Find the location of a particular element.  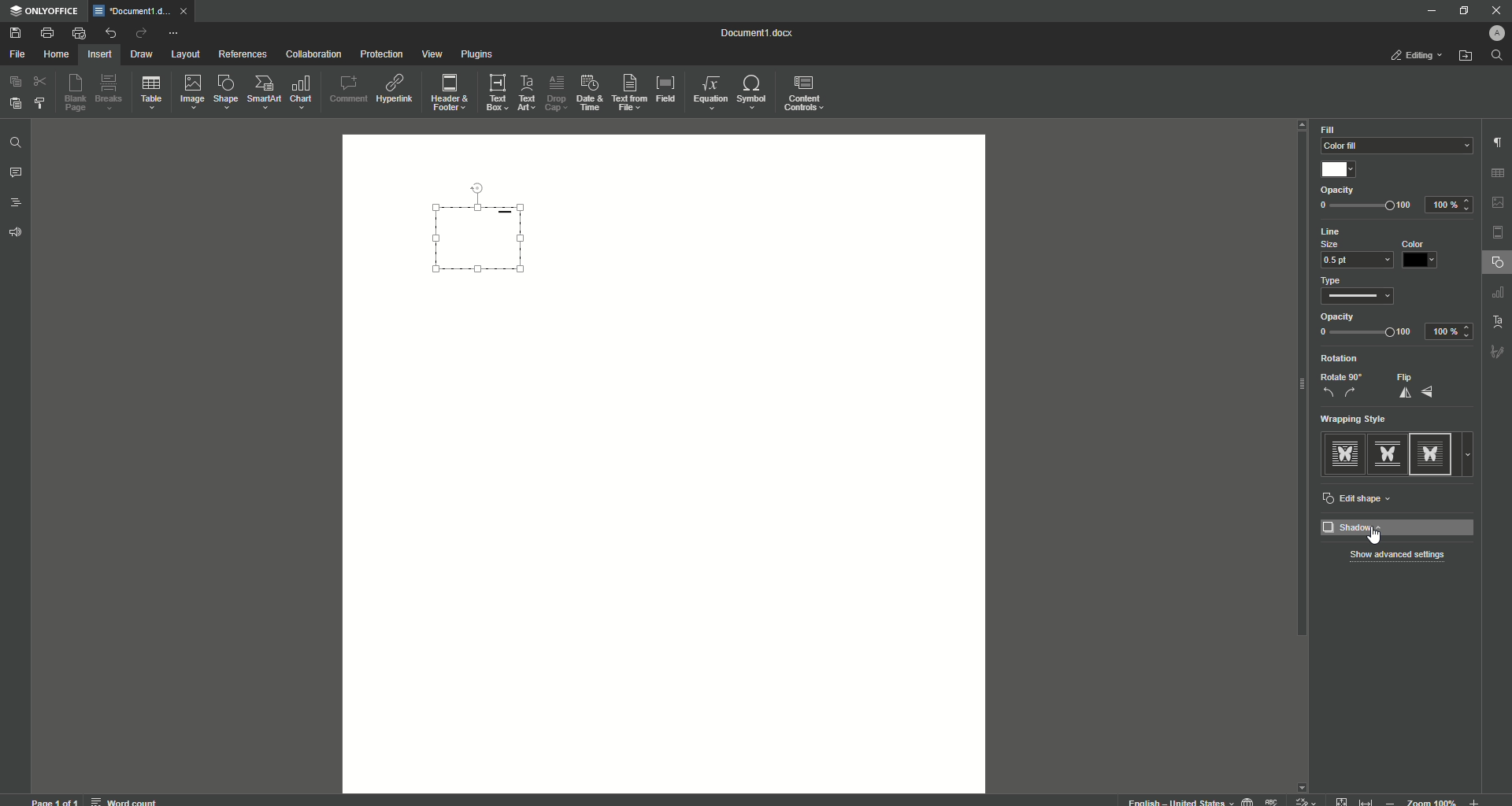

100% is located at coordinates (1451, 204).